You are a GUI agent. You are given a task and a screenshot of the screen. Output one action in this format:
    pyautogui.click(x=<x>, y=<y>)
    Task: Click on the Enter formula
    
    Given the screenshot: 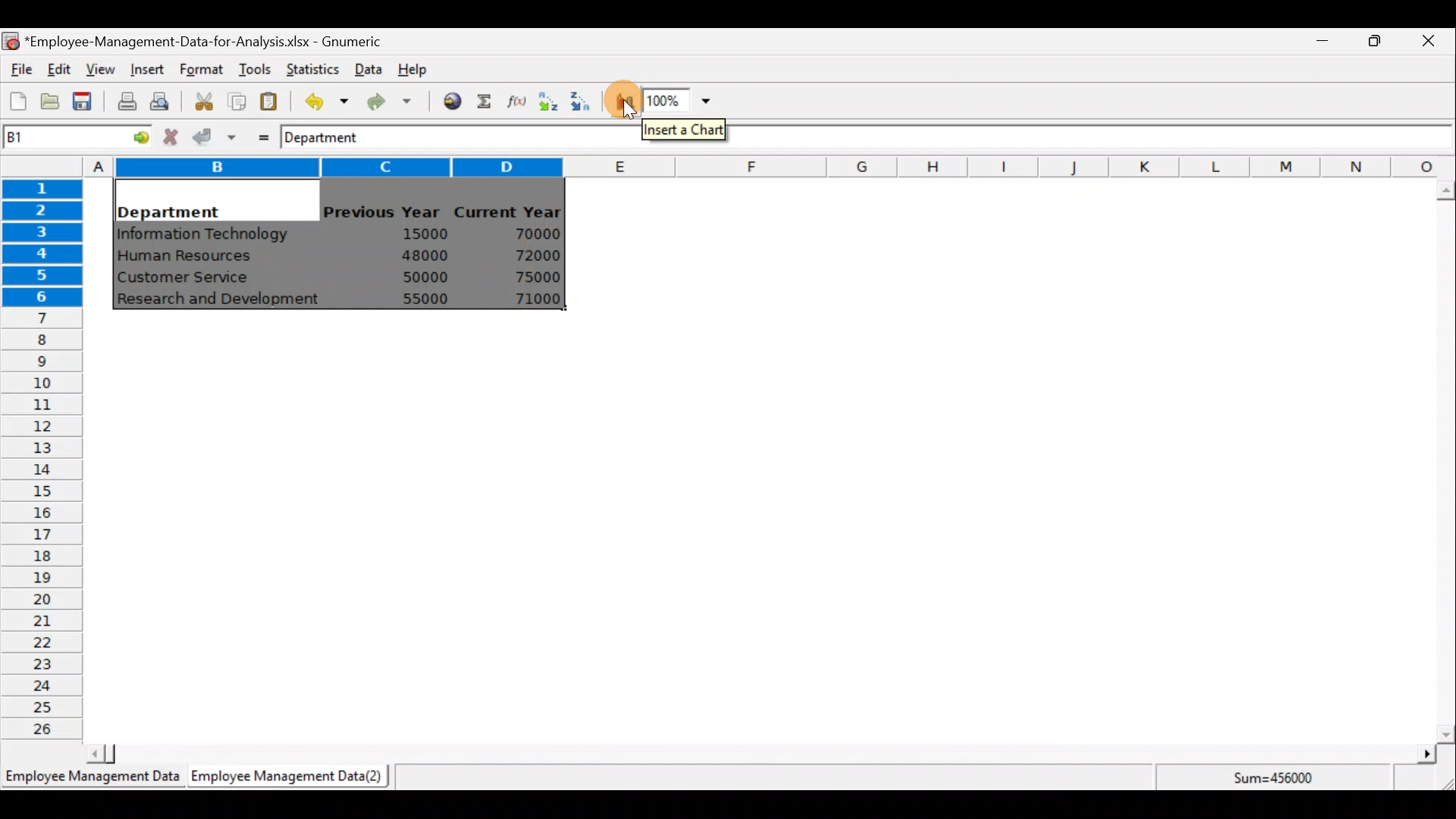 What is the action you would take?
    pyautogui.click(x=259, y=134)
    